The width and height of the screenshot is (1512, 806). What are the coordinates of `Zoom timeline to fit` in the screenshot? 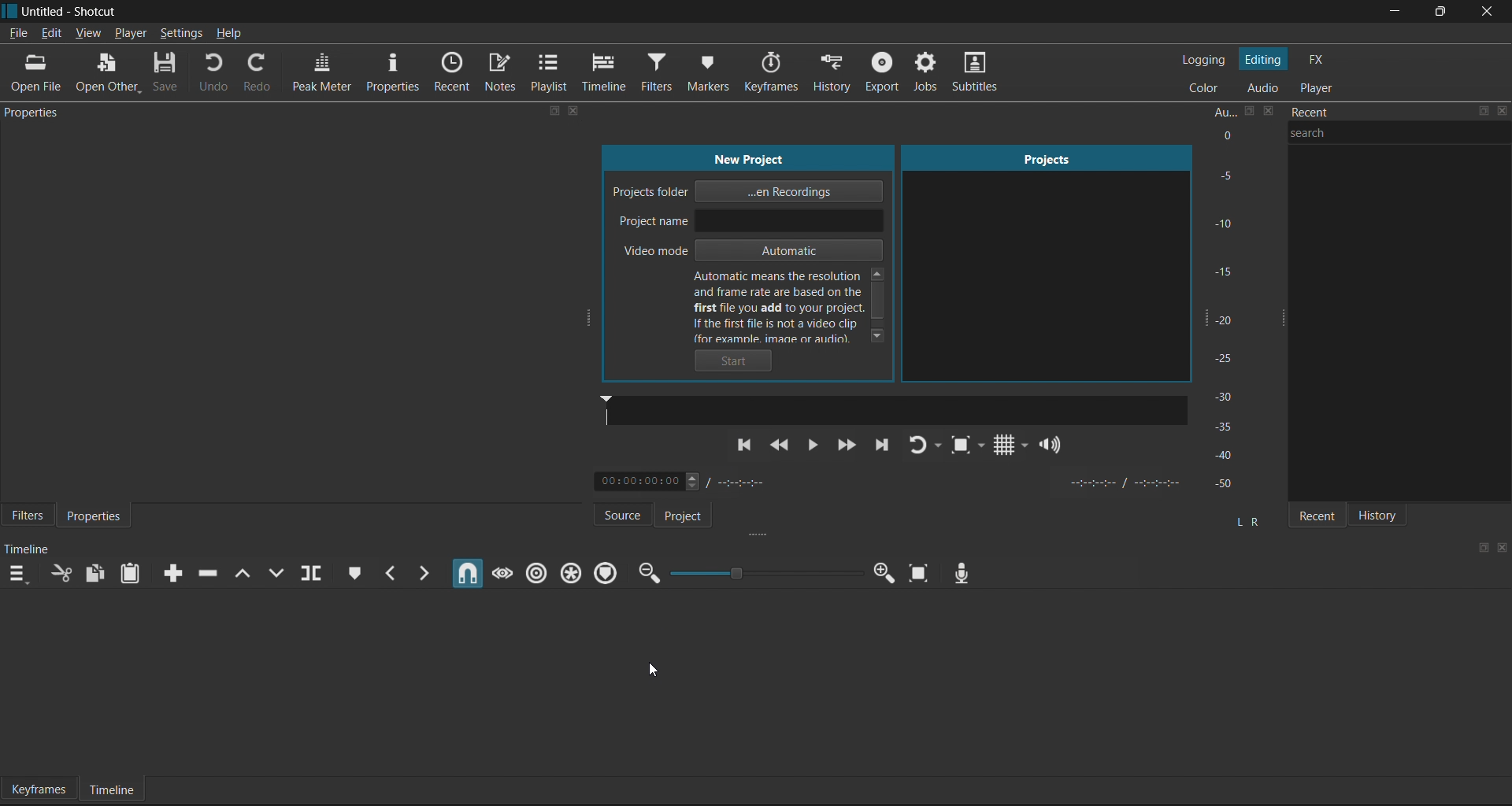 It's located at (918, 578).